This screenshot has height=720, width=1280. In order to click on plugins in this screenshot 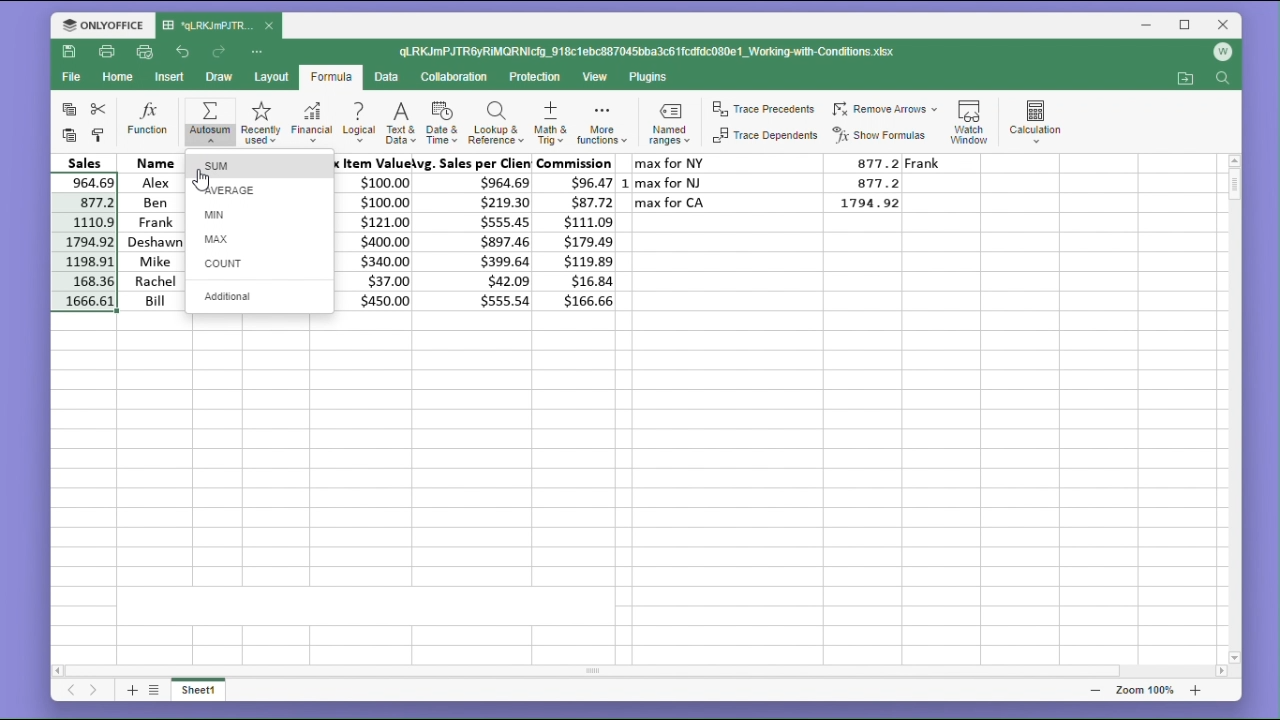, I will do `click(649, 77)`.